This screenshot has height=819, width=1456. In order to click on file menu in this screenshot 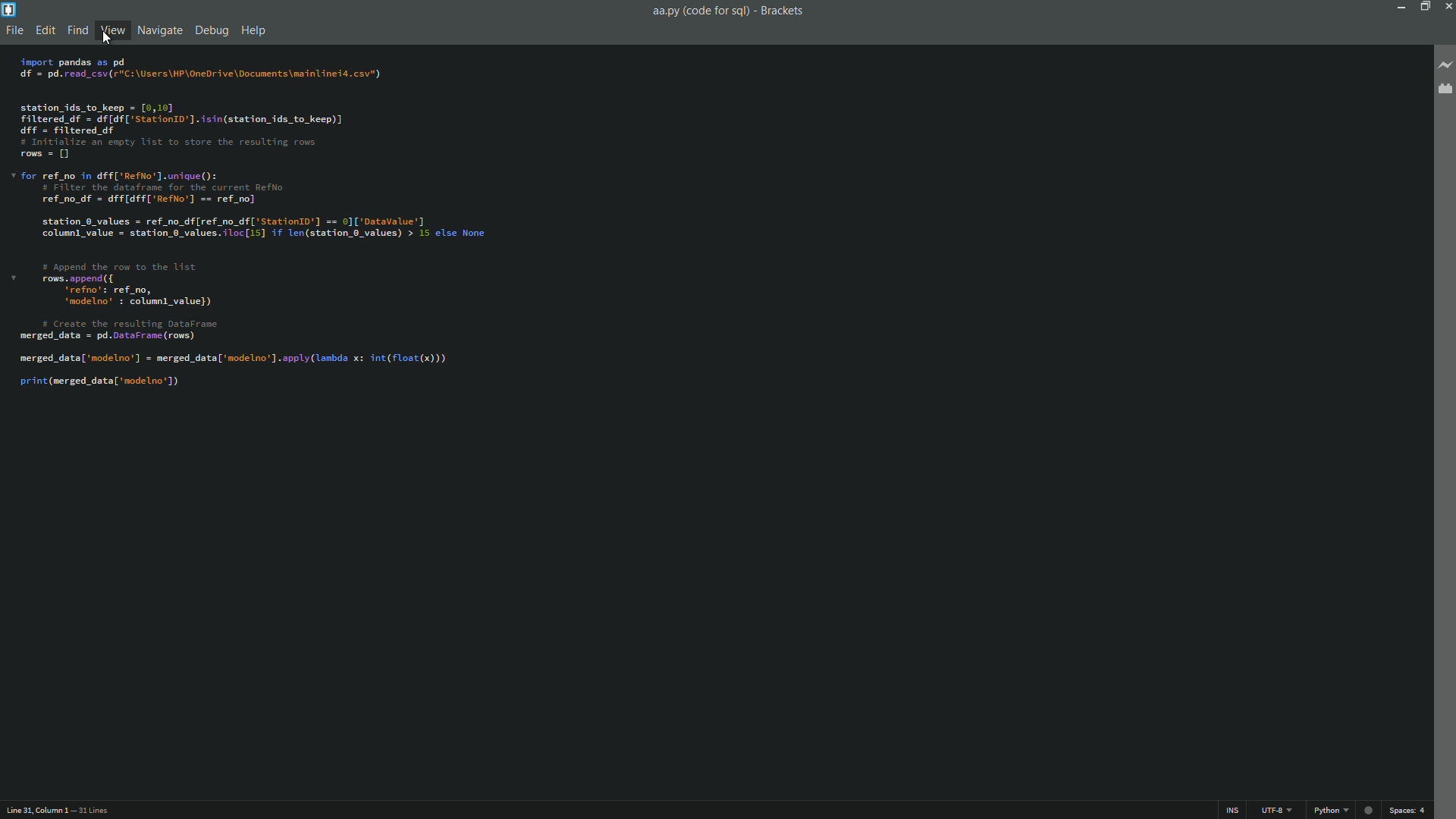, I will do `click(14, 29)`.